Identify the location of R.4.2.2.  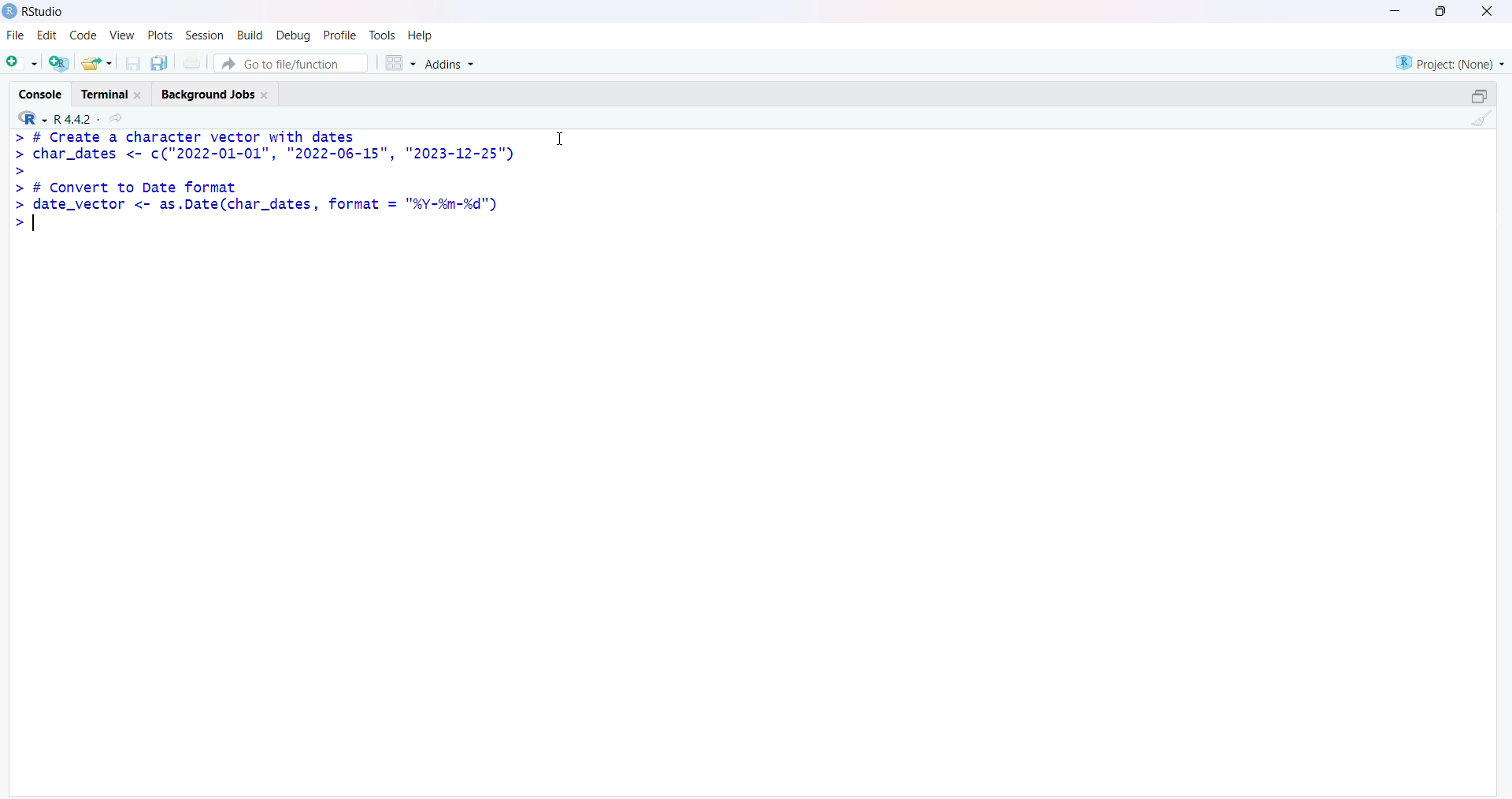
(71, 117).